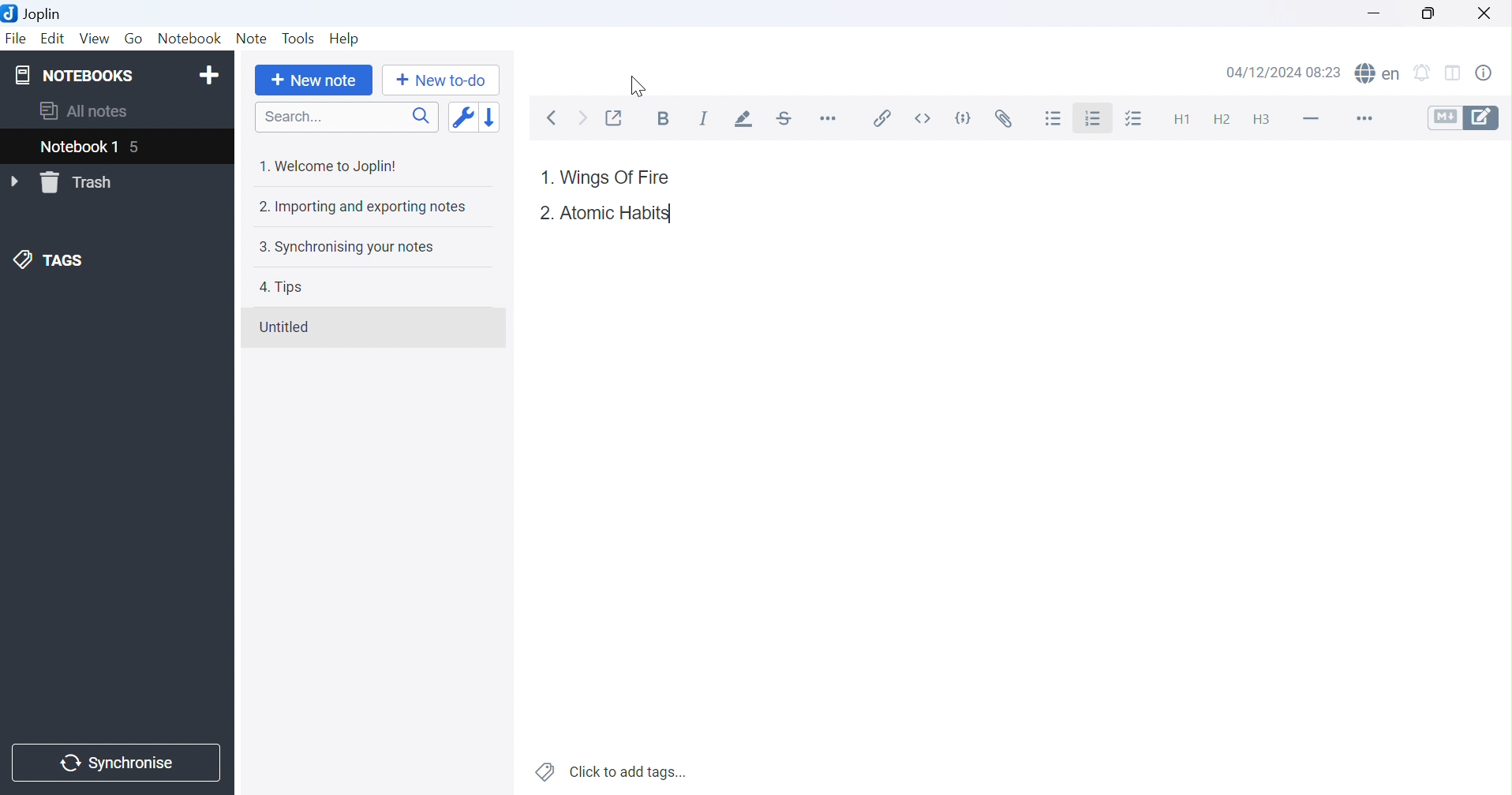  Describe the element at coordinates (54, 39) in the screenshot. I see `Edit` at that location.